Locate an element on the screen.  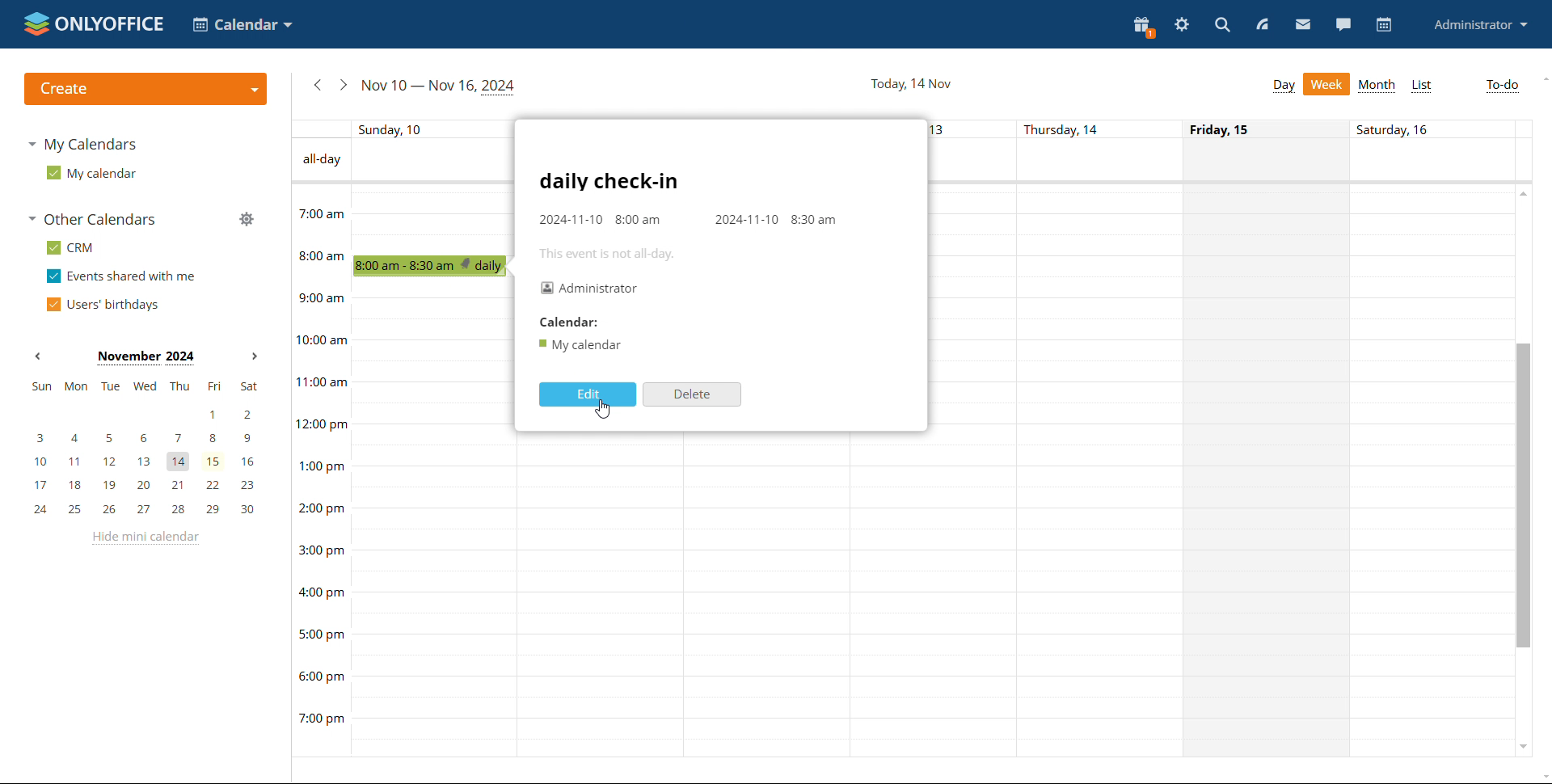
next month is located at coordinates (252, 357).